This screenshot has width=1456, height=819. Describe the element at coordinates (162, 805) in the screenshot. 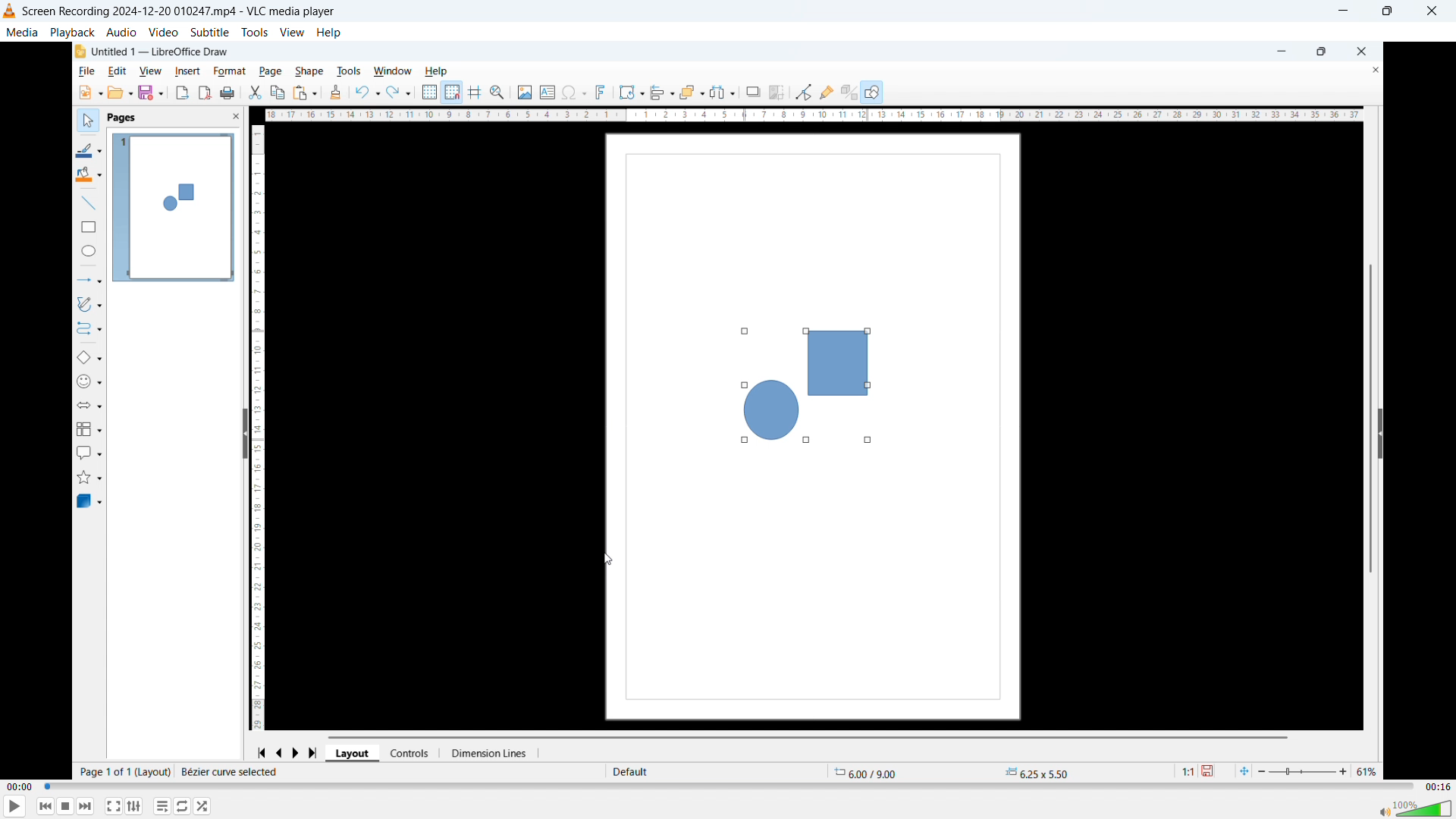

I see `Toggle playlist ` at that location.